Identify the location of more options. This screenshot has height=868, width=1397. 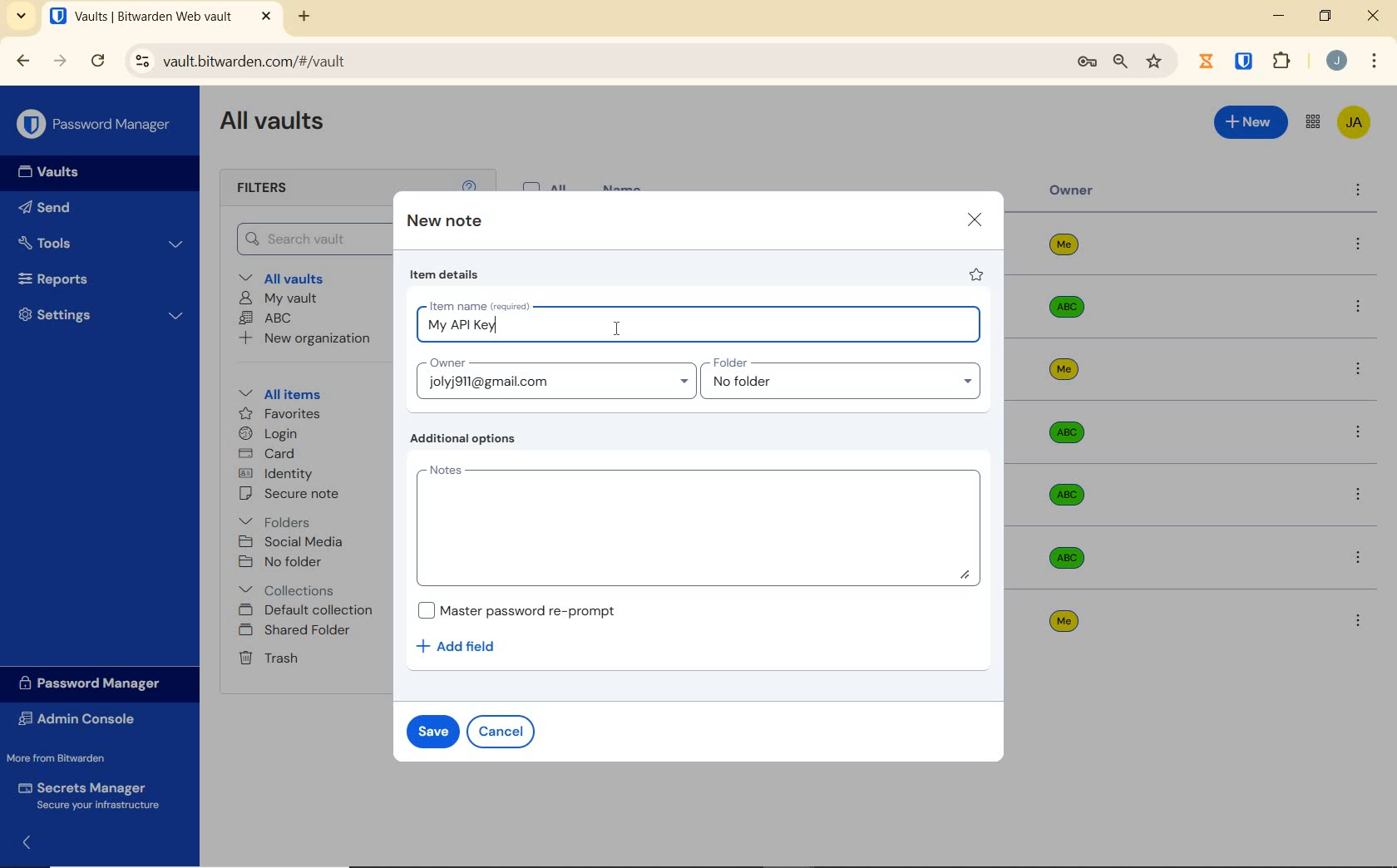
(1357, 432).